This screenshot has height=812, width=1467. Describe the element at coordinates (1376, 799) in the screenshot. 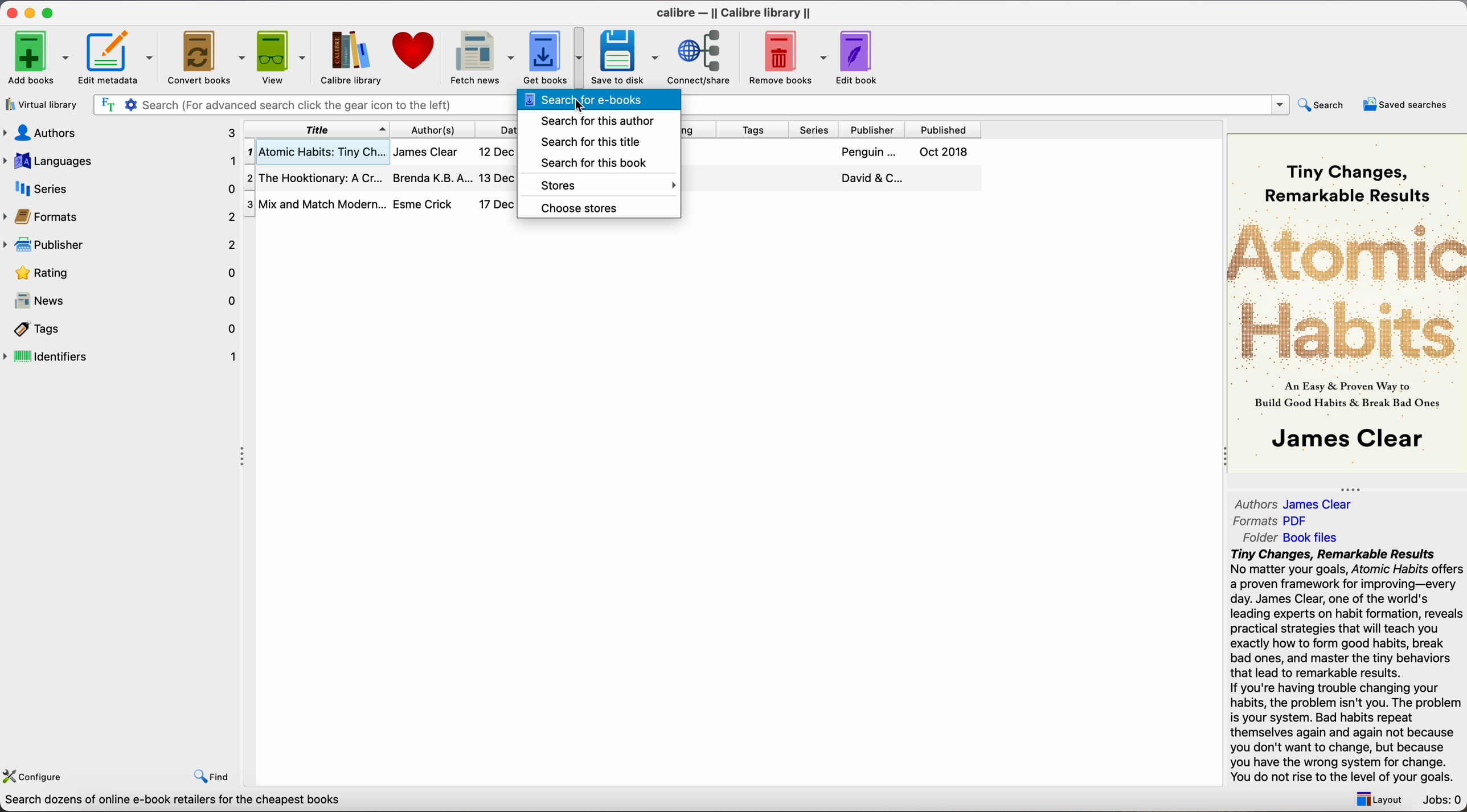

I see `layout` at that location.